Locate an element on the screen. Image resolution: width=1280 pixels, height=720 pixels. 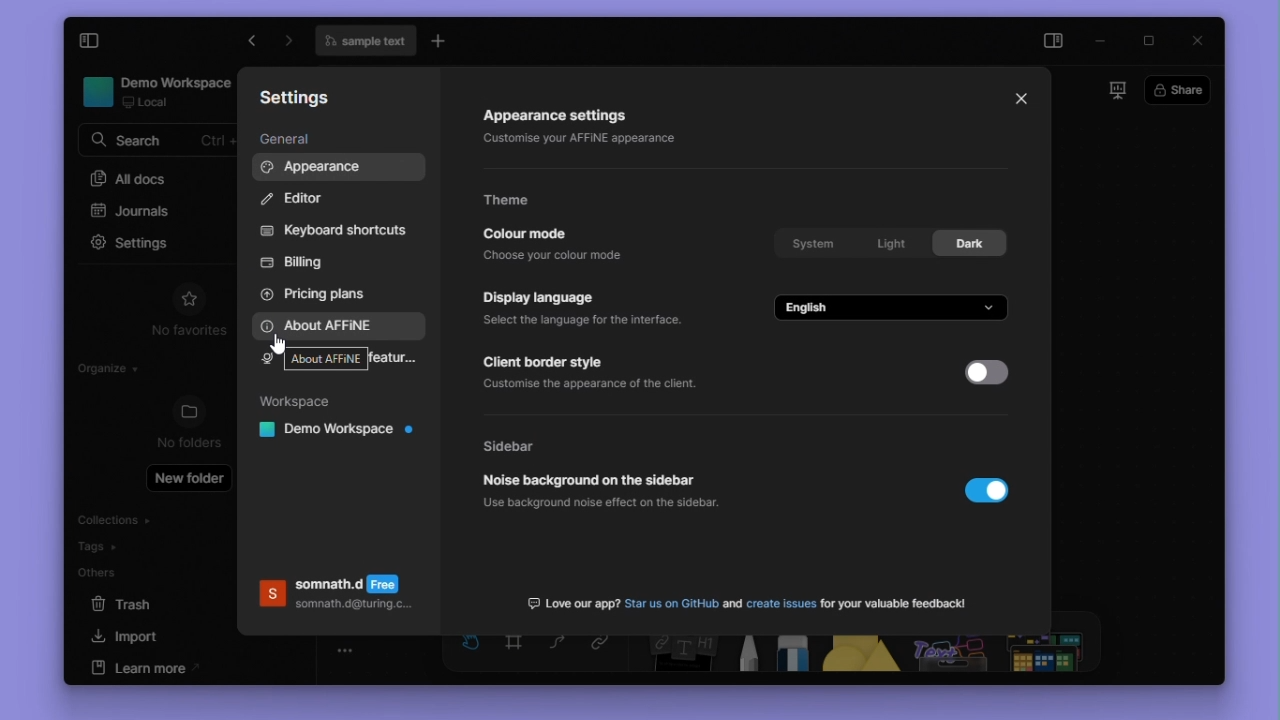
Account details is located at coordinates (336, 599).